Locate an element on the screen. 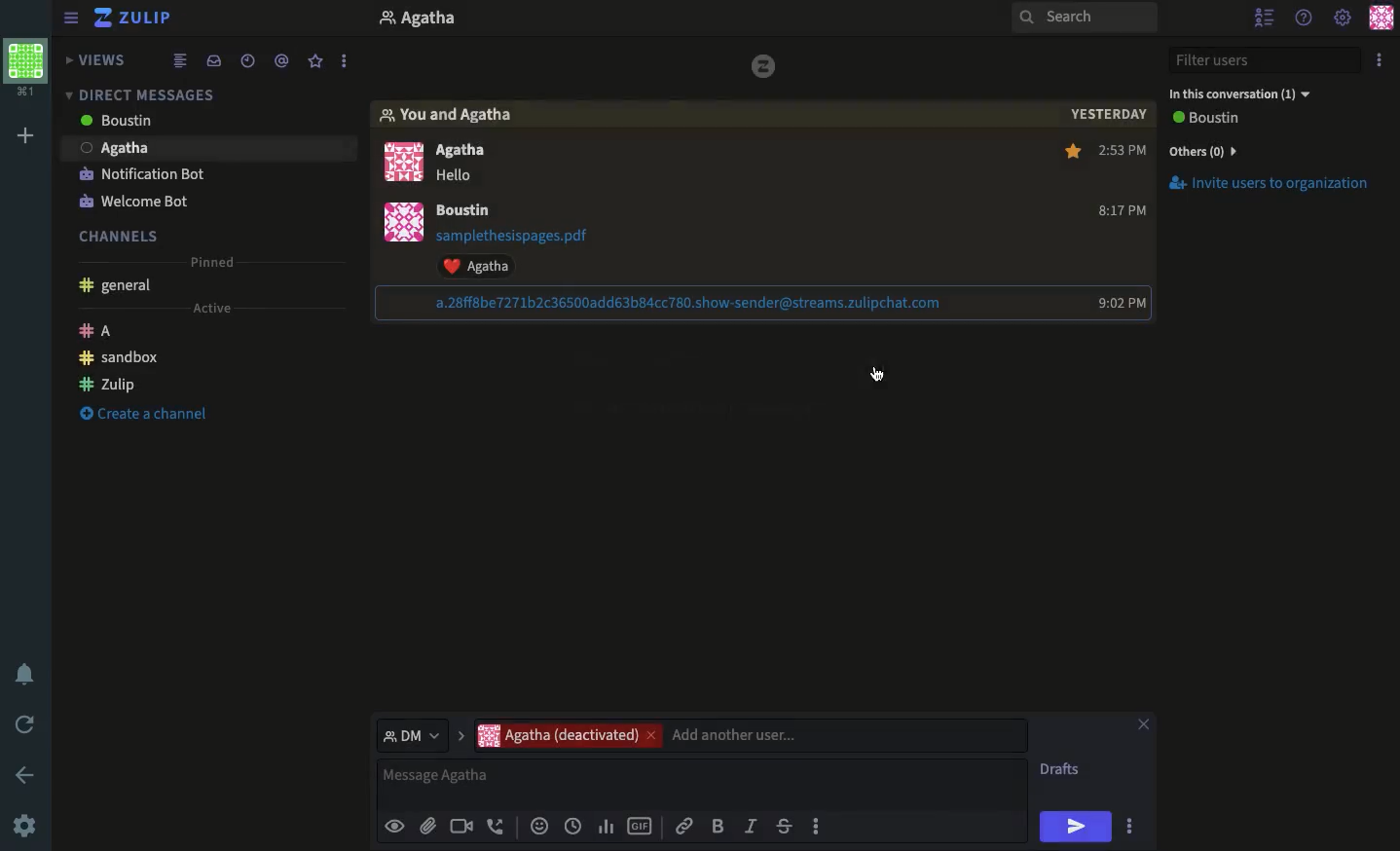  Users is located at coordinates (197, 121).